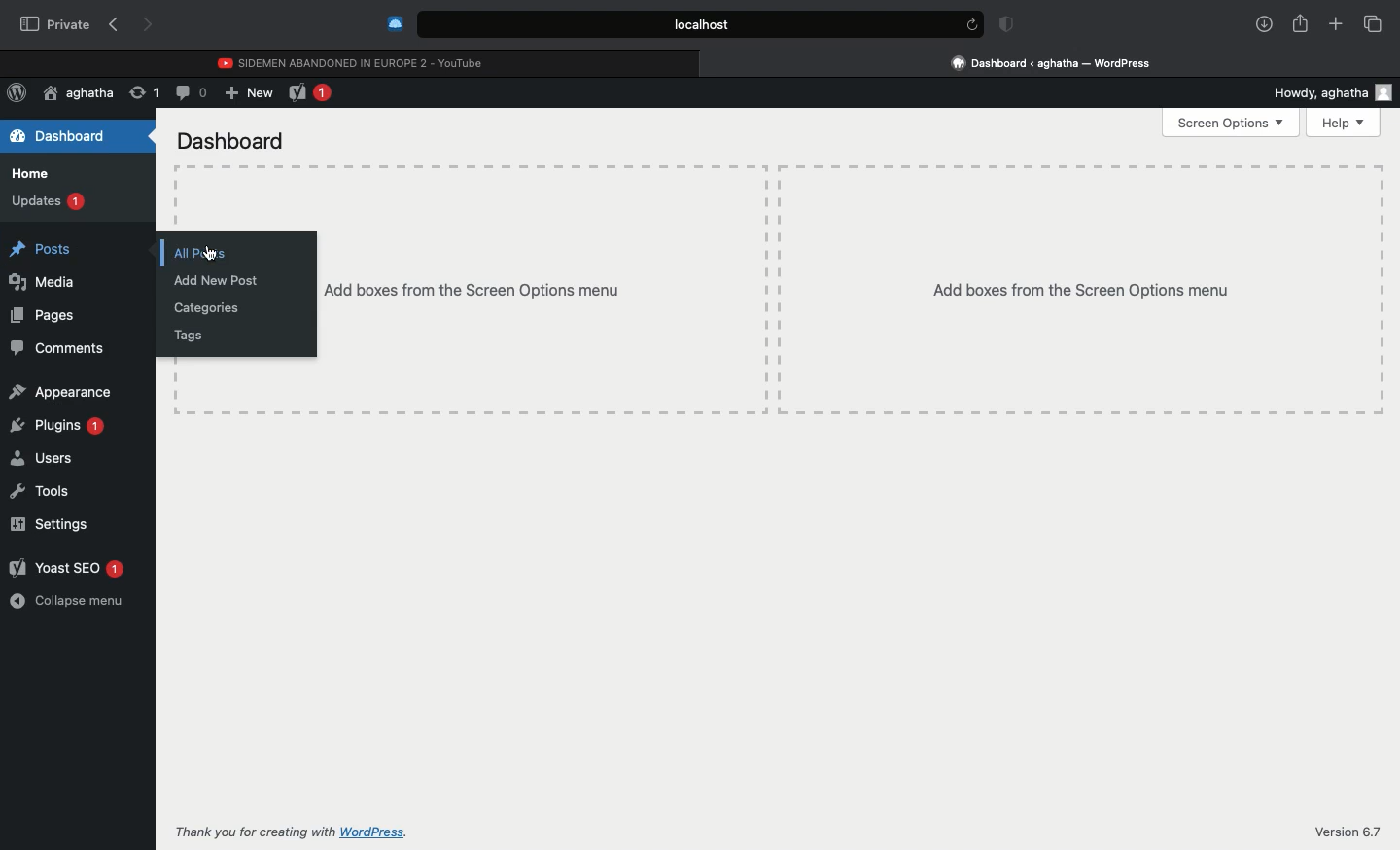 The height and width of the screenshot is (850, 1400). I want to click on Comment, so click(192, 91).